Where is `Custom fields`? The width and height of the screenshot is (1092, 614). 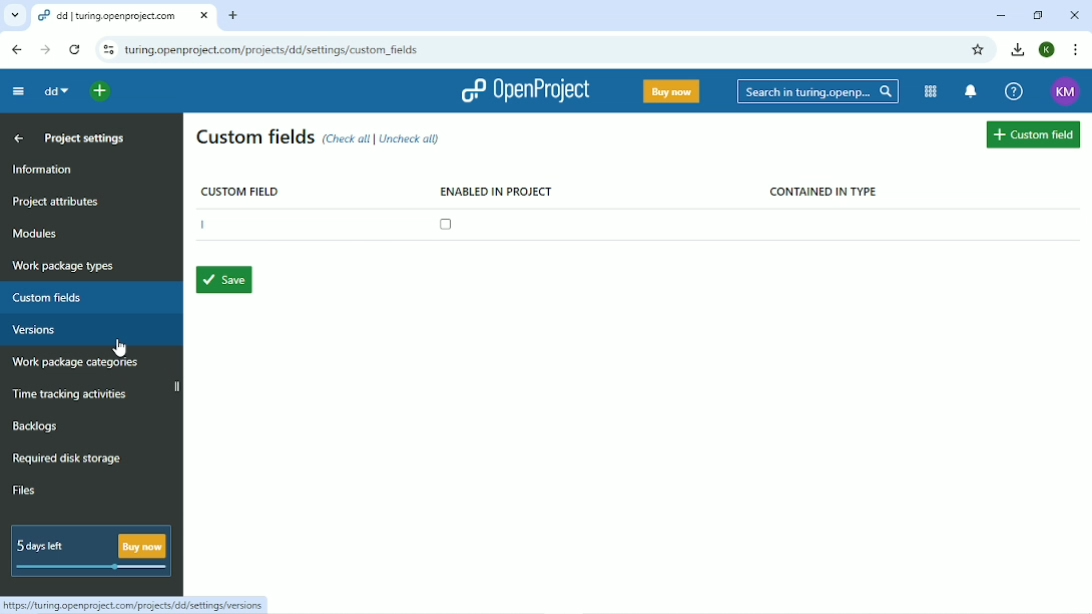
Custom fields is located at coordinates (256, 138).